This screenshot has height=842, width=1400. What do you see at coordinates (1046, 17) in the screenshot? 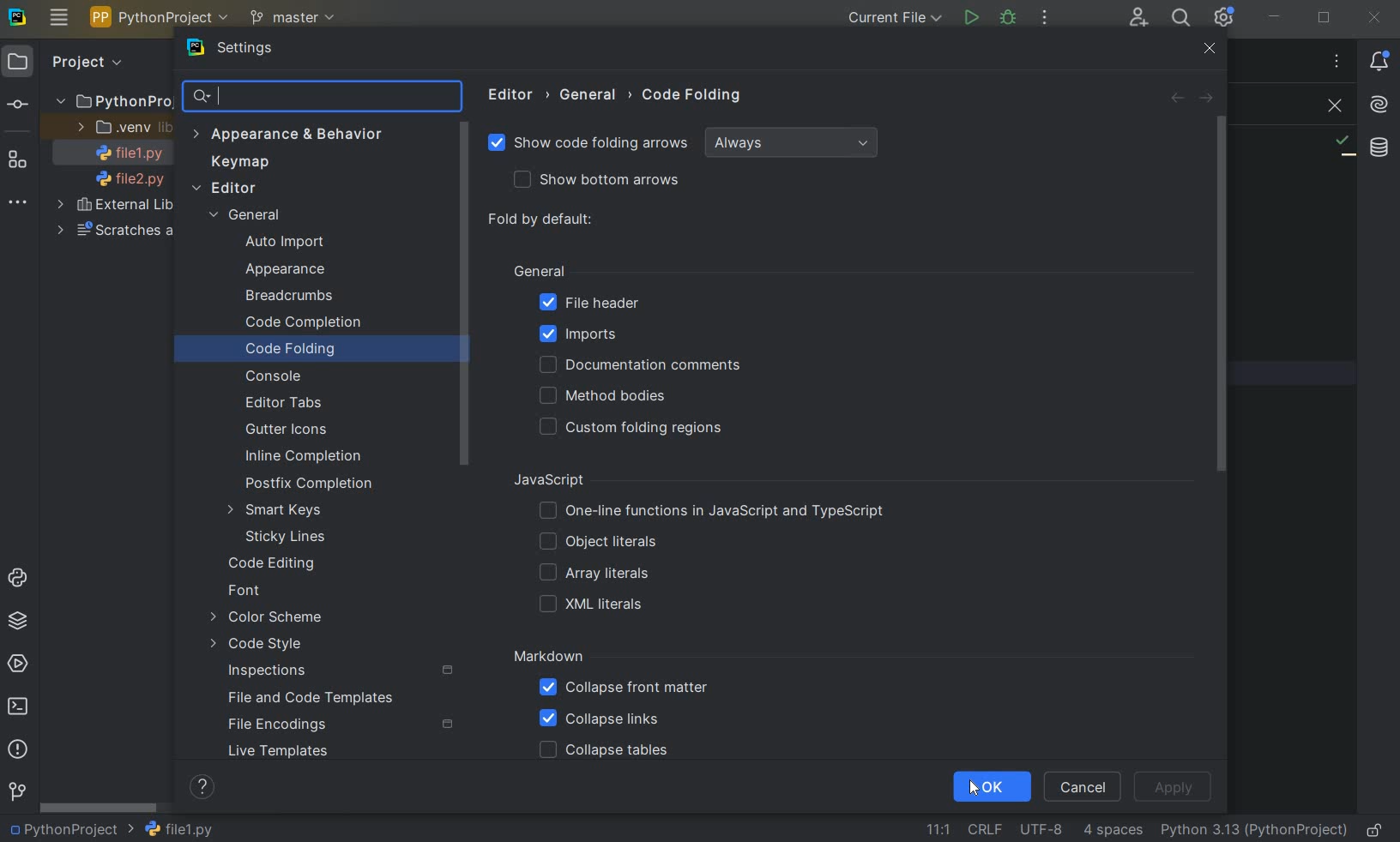
I see `MORE ACTIONS` at bounding box center [1046, 17].